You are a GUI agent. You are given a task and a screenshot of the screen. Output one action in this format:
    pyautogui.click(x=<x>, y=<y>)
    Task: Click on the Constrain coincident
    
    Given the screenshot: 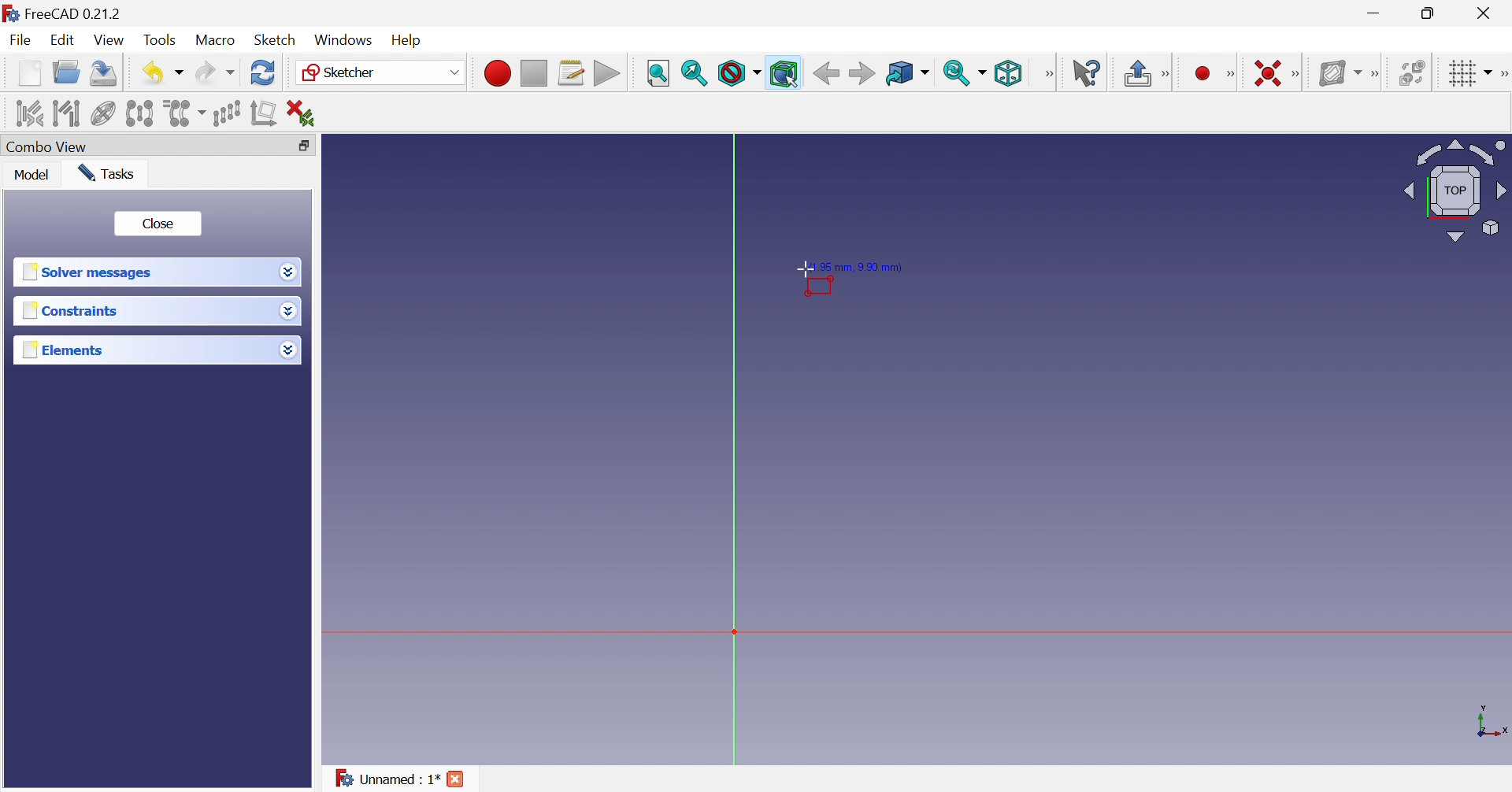 What is the action you would take?
    pyautogui.click(x=1267, y=72)
    